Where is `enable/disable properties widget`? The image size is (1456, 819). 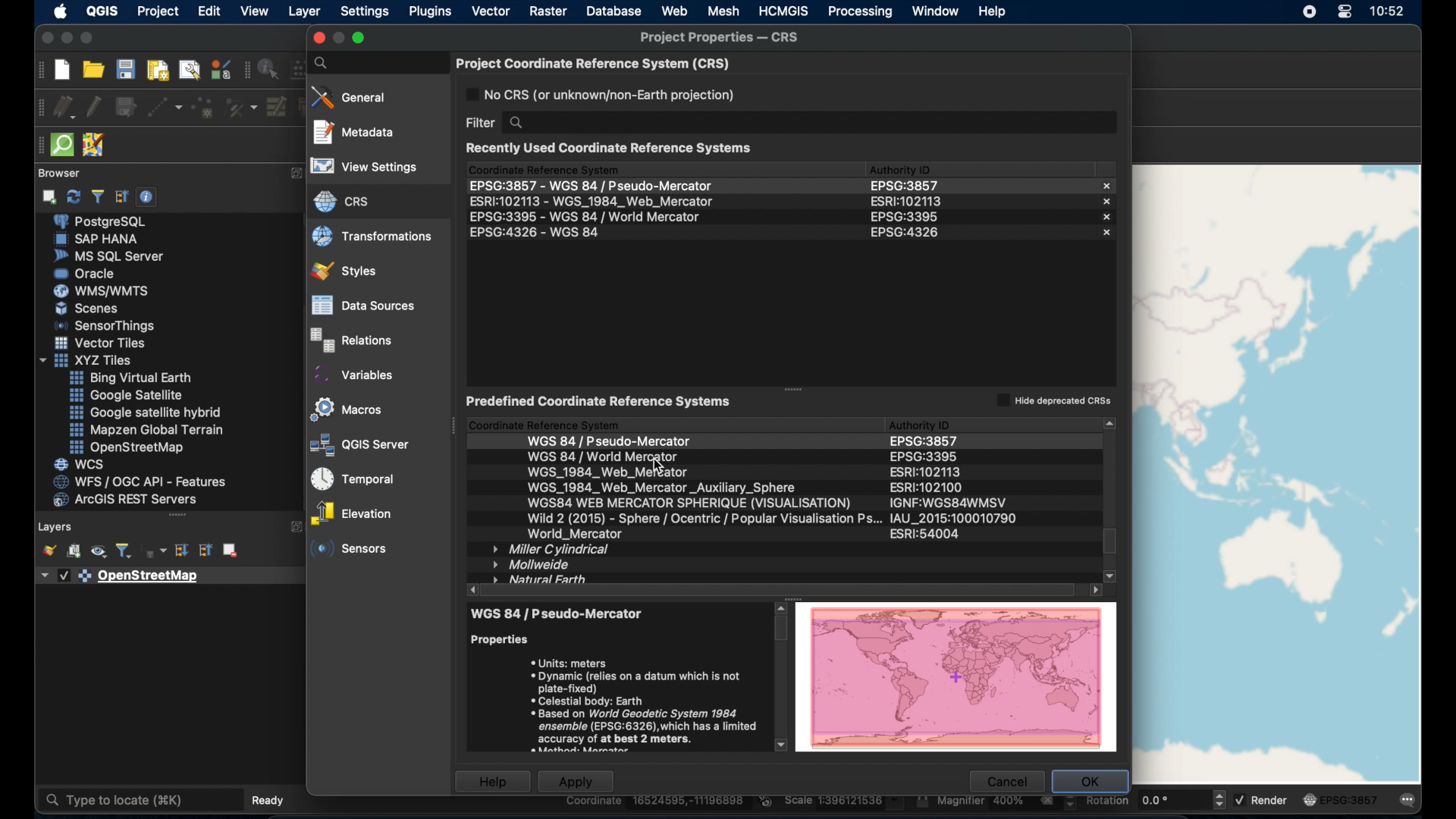 enable/disable properties widget is located at coordinates (149, 197).